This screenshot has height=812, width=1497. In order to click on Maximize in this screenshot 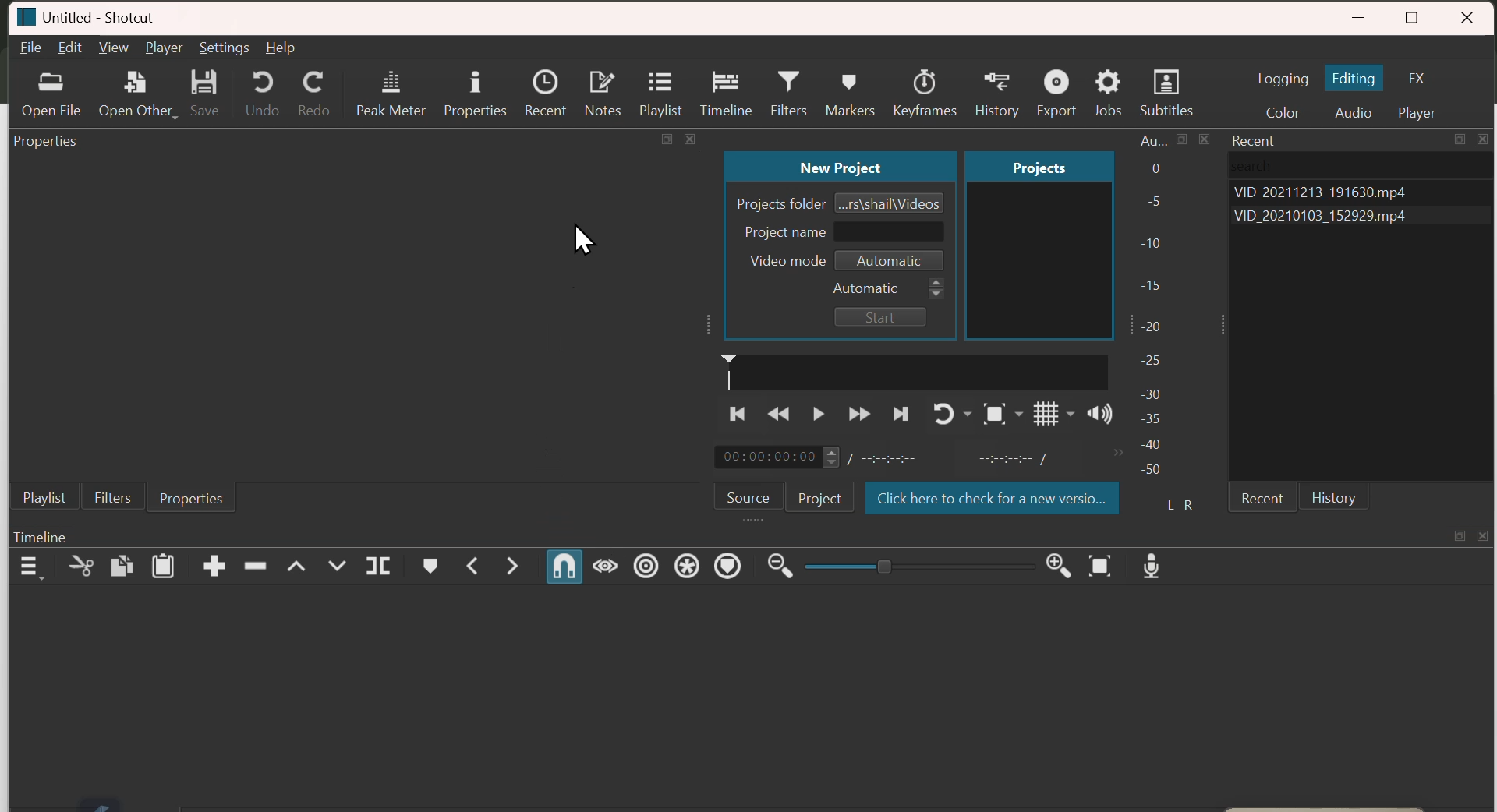, I will do `click(1460, 535)`.